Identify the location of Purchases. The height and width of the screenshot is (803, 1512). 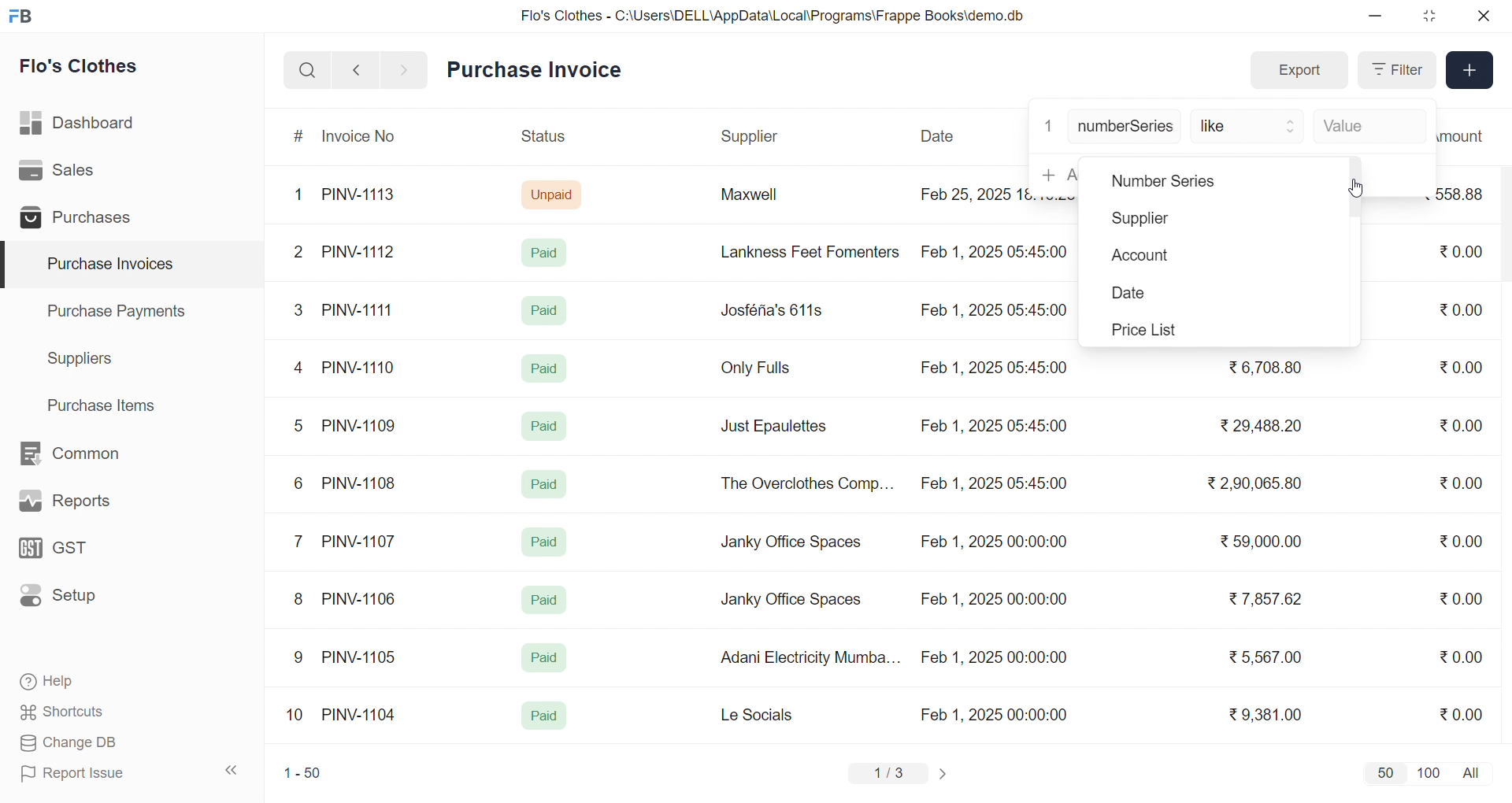
(81, 220).